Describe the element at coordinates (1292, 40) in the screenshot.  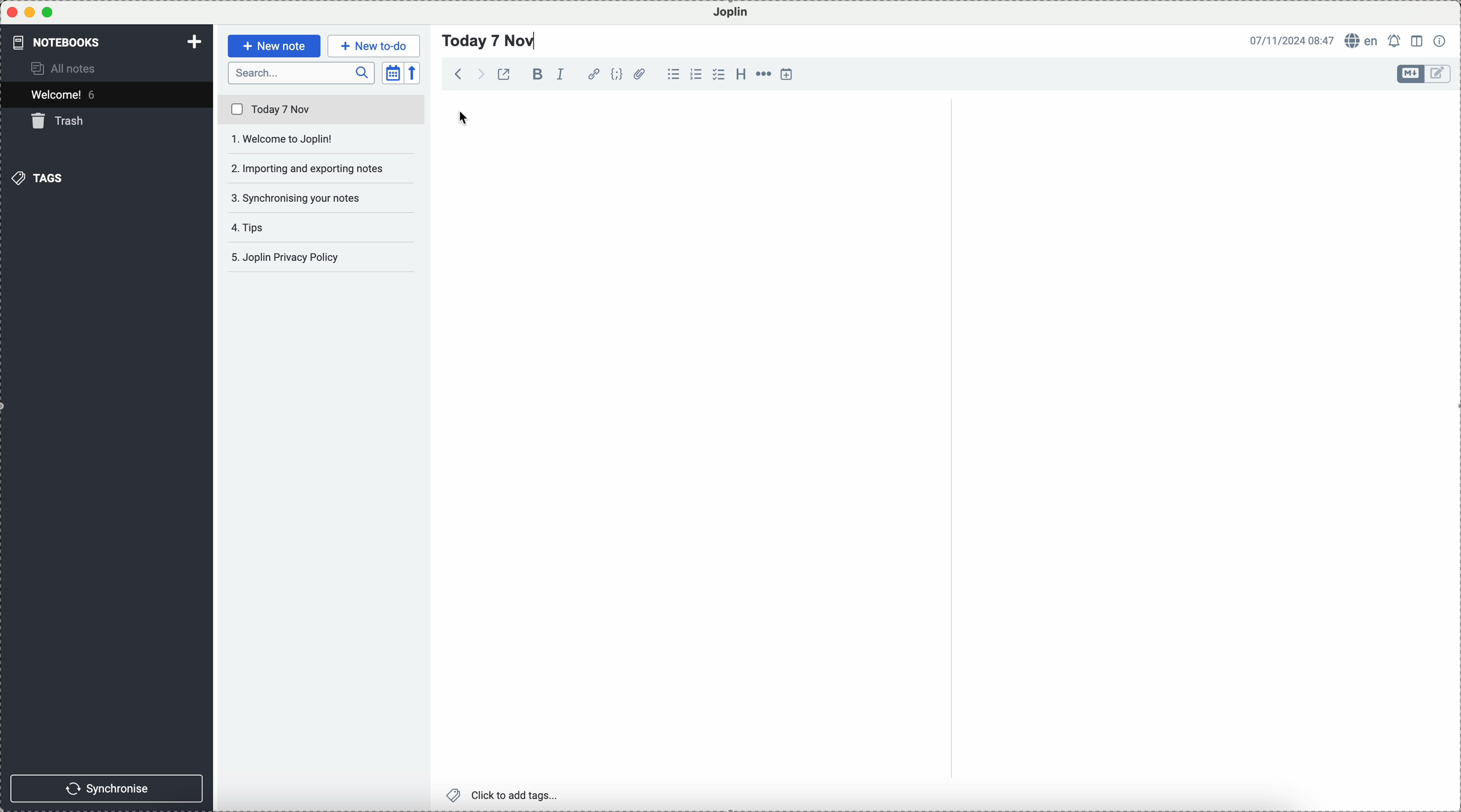
I see `date and hour` at that location.